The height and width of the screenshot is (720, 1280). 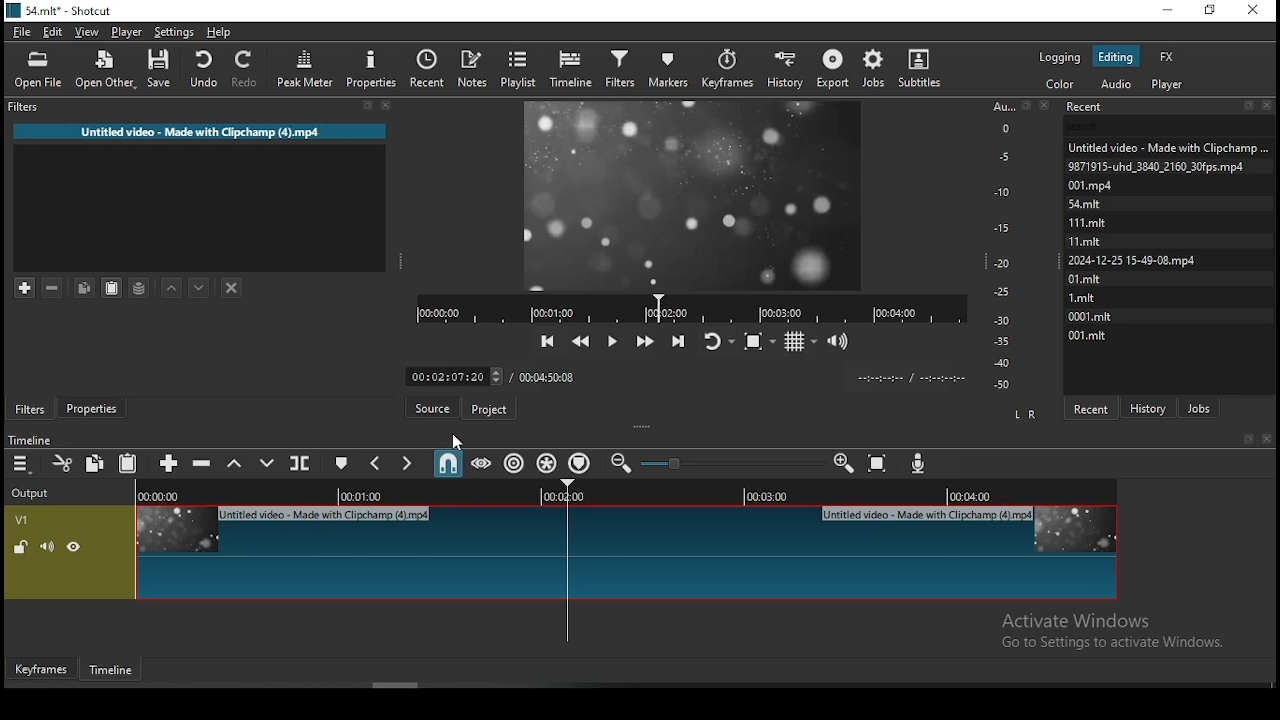 I want to click on properties, so click(x=93, y=409).